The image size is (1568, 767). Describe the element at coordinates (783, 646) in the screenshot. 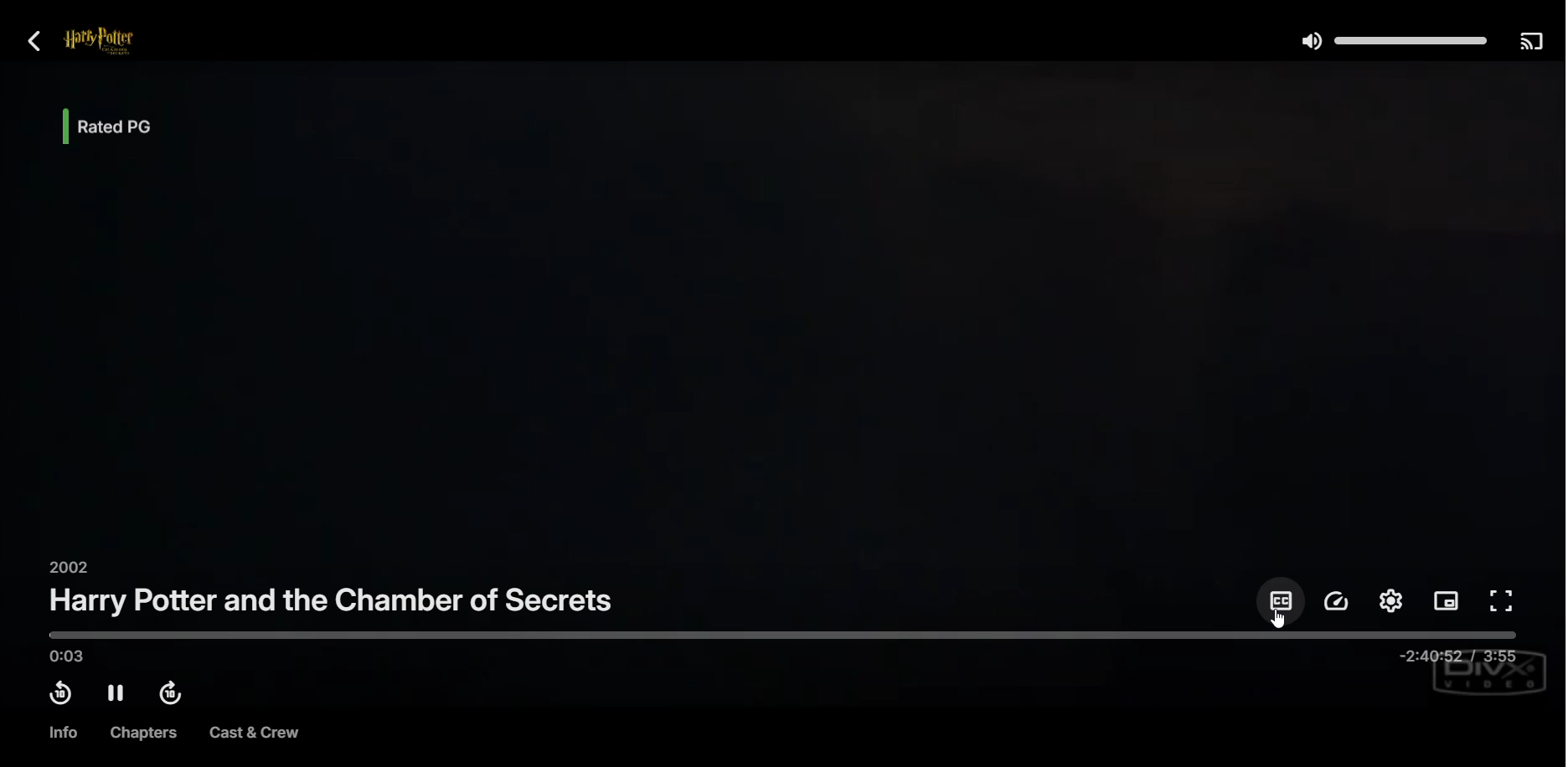

I see `Movie Timeline` at that location.